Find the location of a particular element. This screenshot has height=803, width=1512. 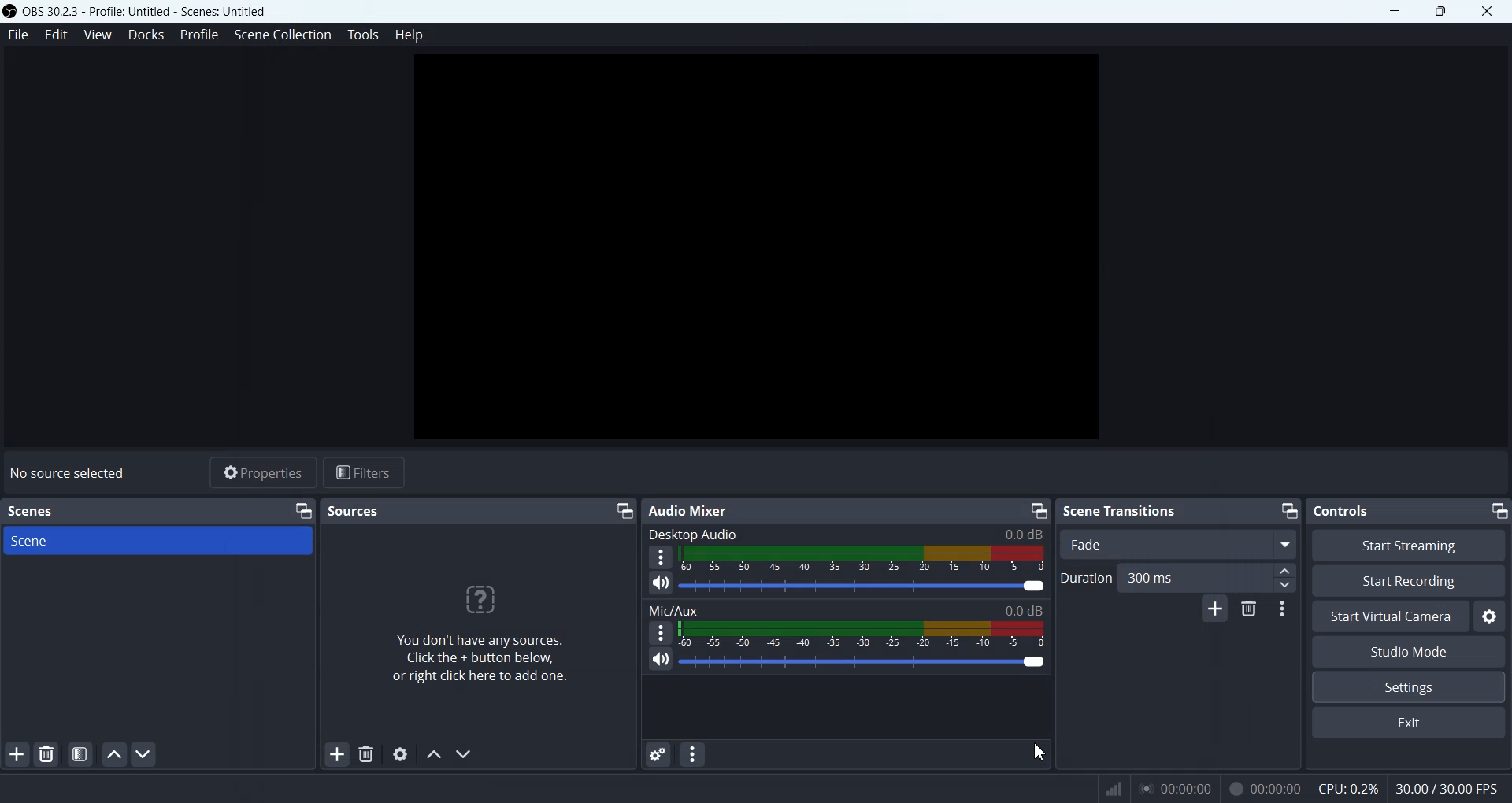

Duration is located at coordinates (1087, 579).